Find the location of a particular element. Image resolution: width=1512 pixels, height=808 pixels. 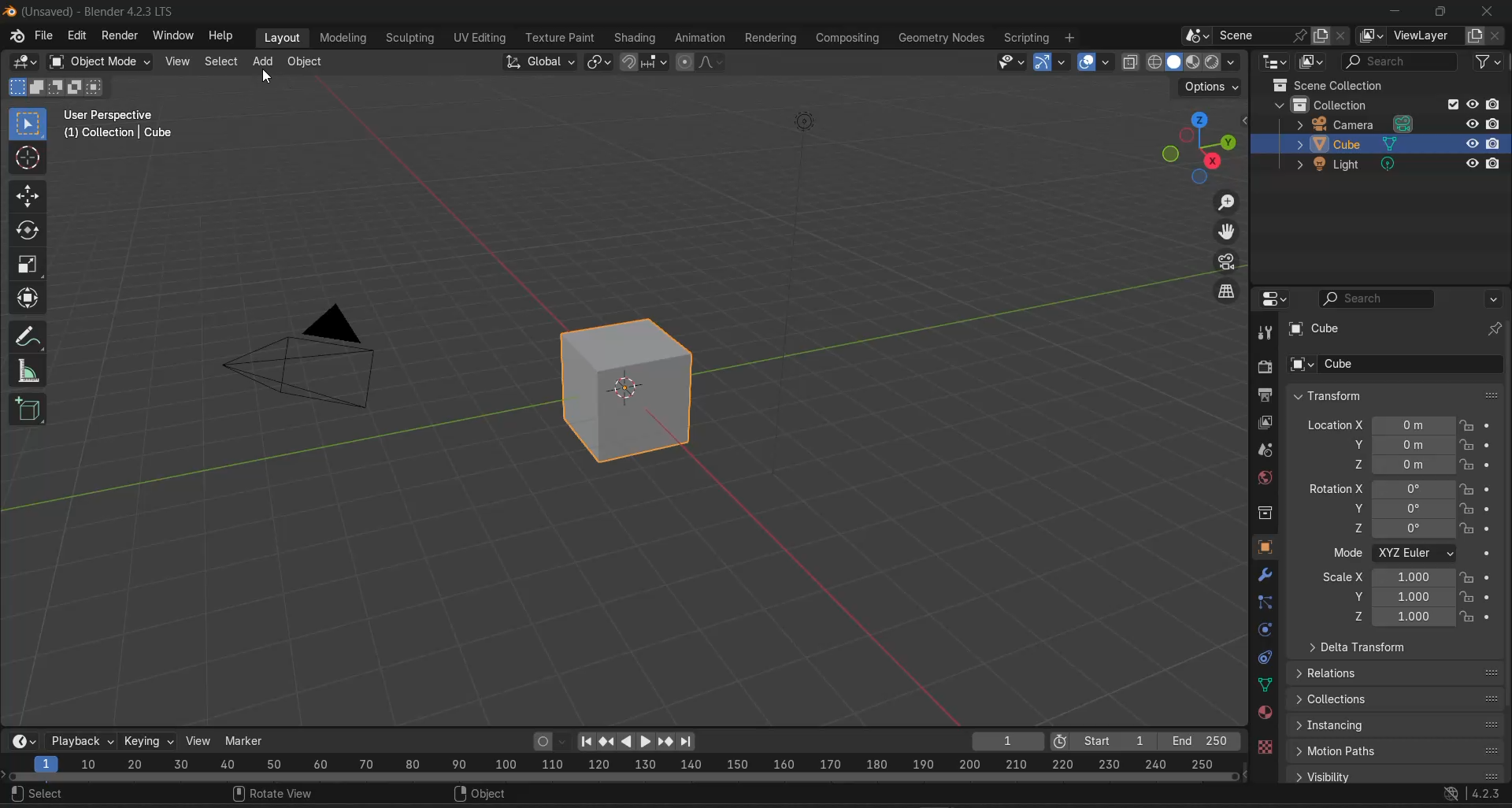

transform pivot point is located at coordinates (601, 63).